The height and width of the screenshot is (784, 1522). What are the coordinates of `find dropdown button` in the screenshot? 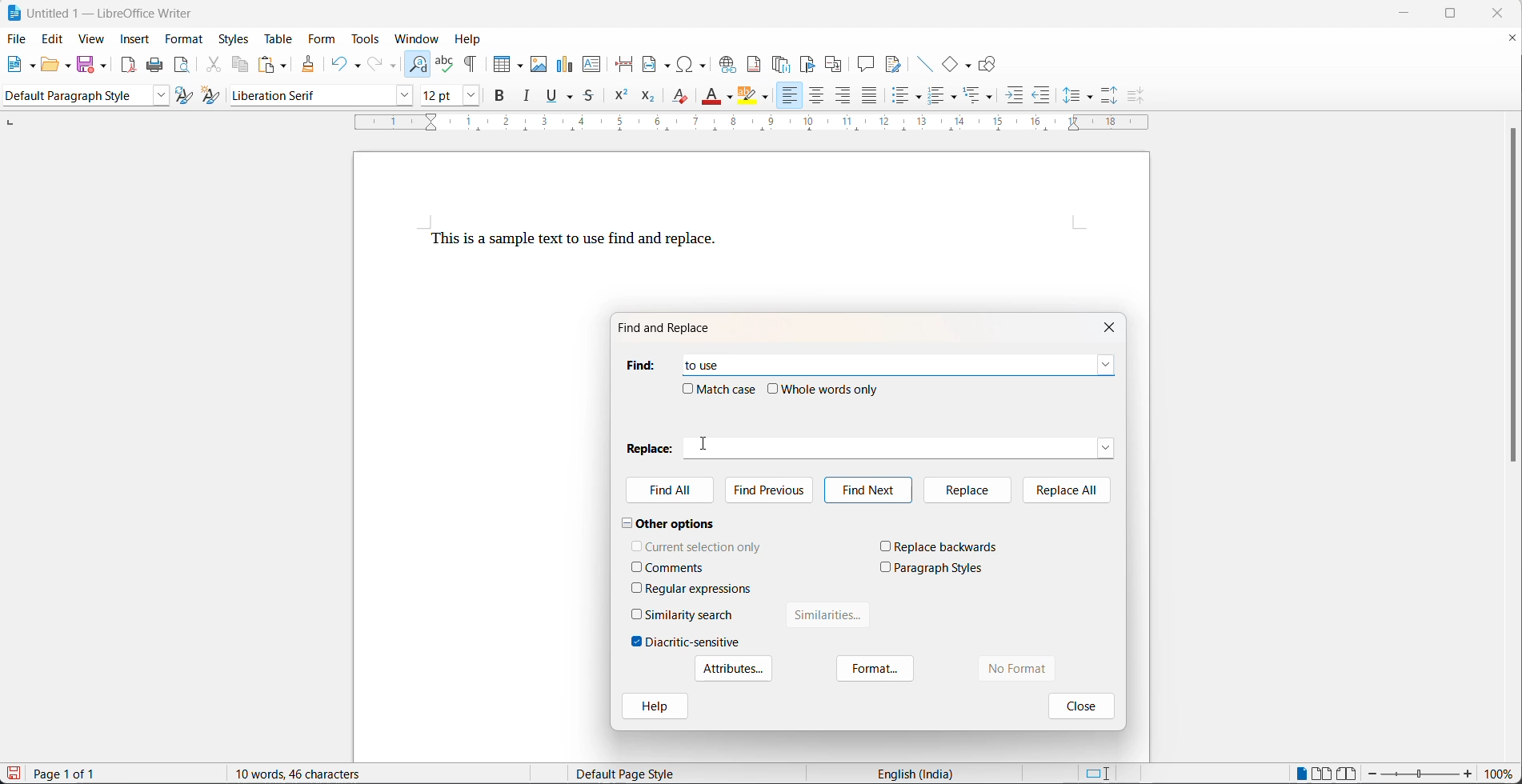 It's located at (1106, 365).